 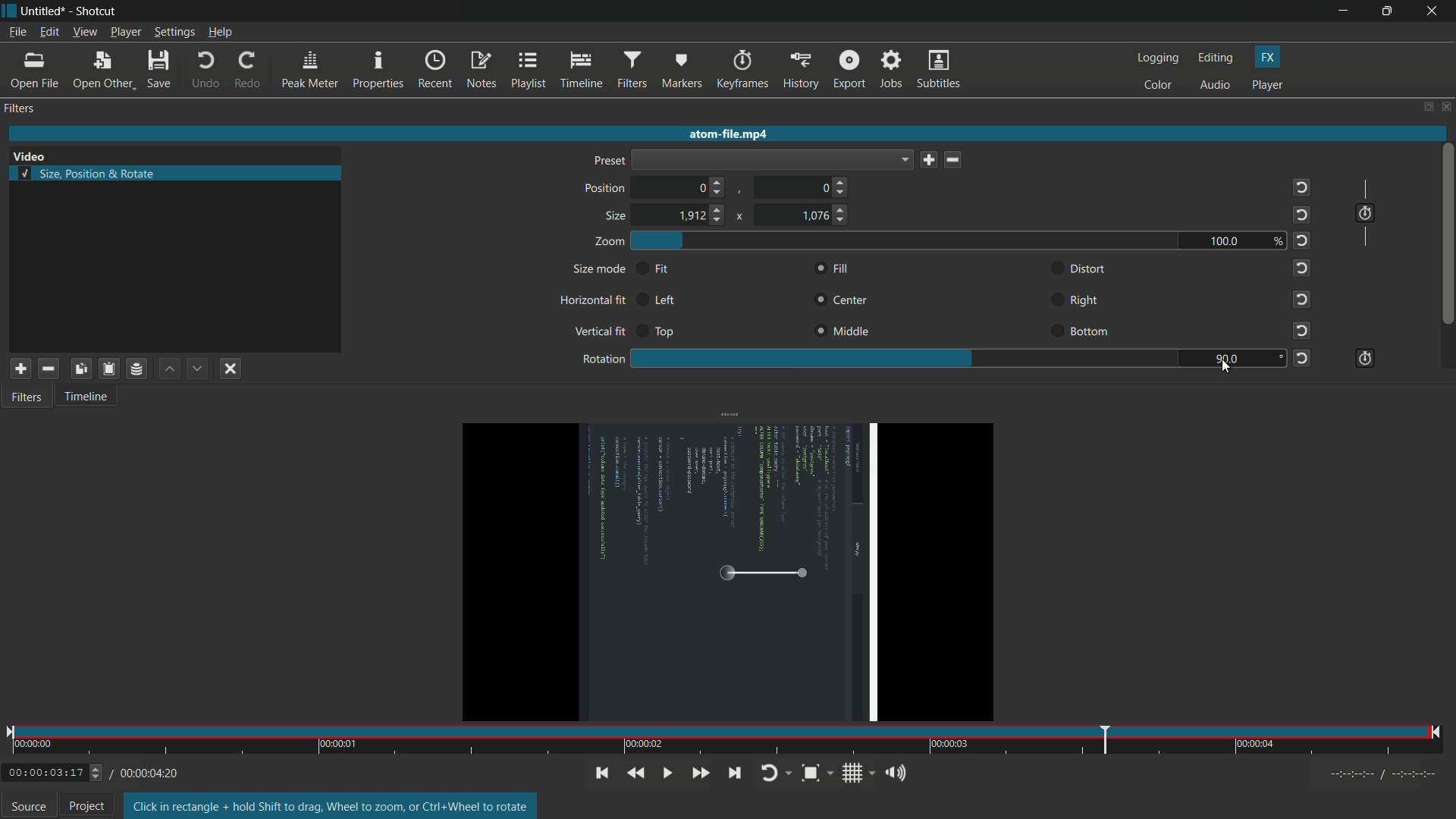 I want to click on position, so click(x=606, y=189).